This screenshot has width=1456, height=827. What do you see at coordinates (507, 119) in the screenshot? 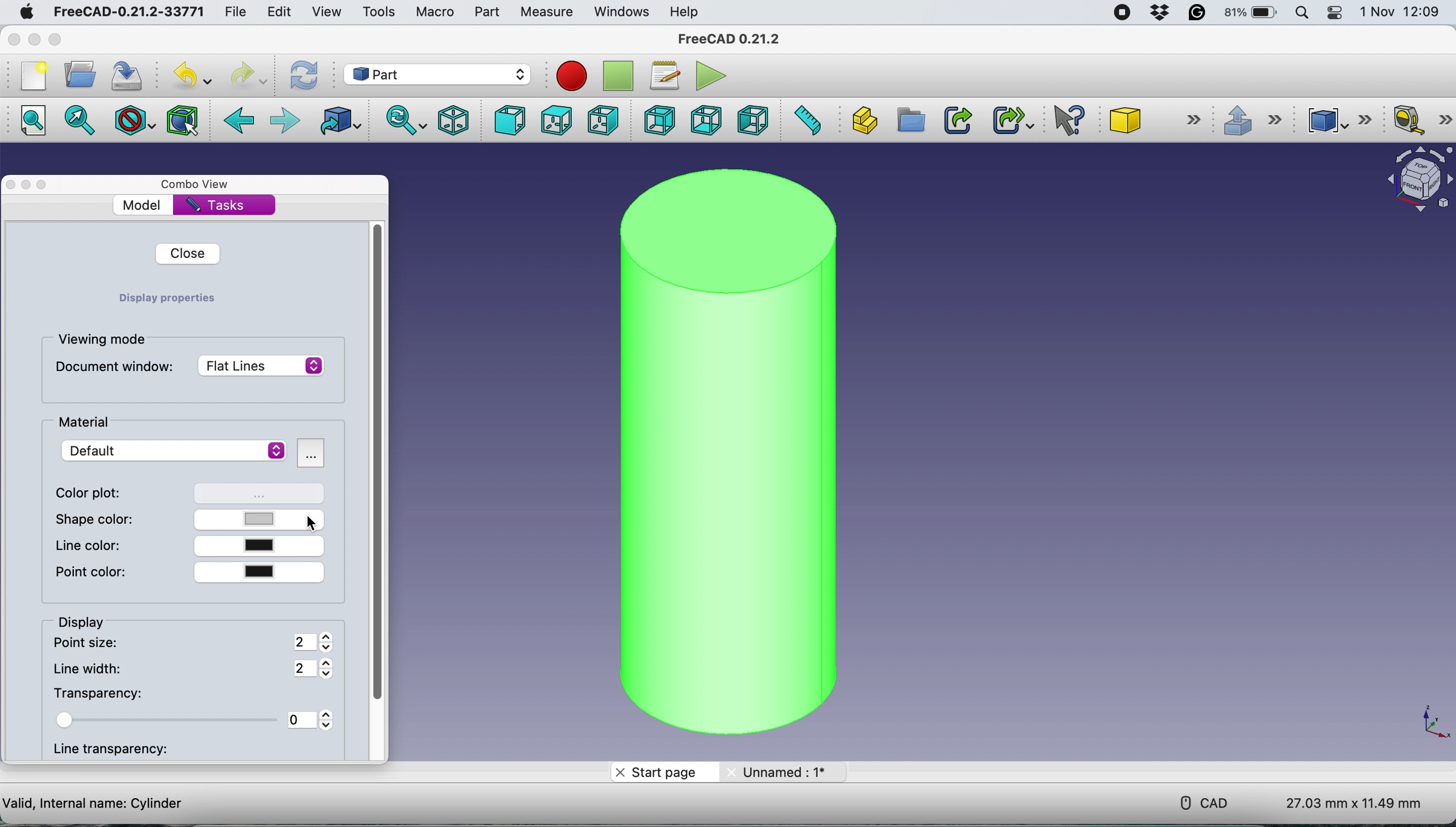
I see `front` at bounding box center [507, 119].